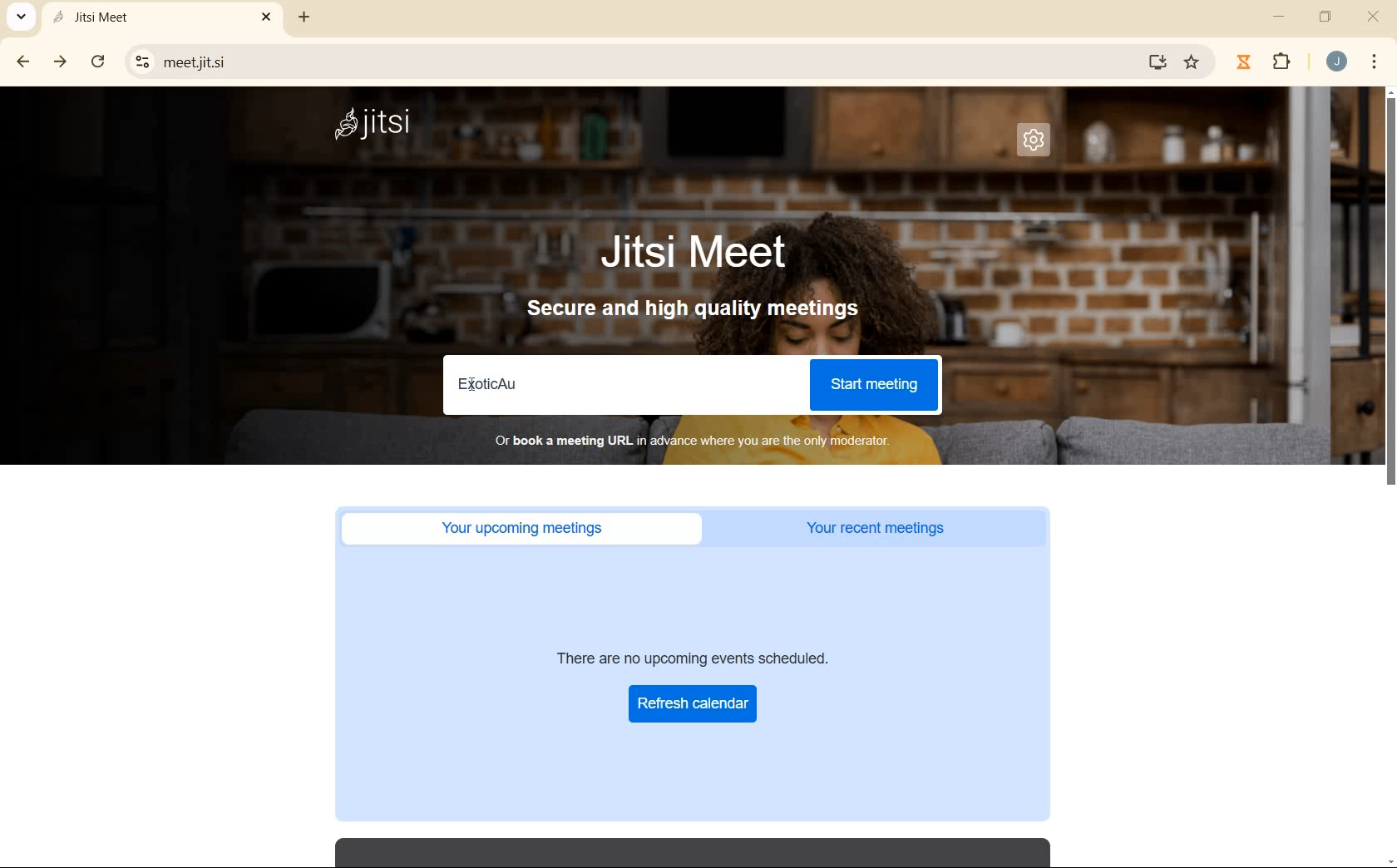 This screenshot has width=1397, height=868. Describe the element at coordinates (892, 526) in the screenshot. I see `your recent meetings` at that location.